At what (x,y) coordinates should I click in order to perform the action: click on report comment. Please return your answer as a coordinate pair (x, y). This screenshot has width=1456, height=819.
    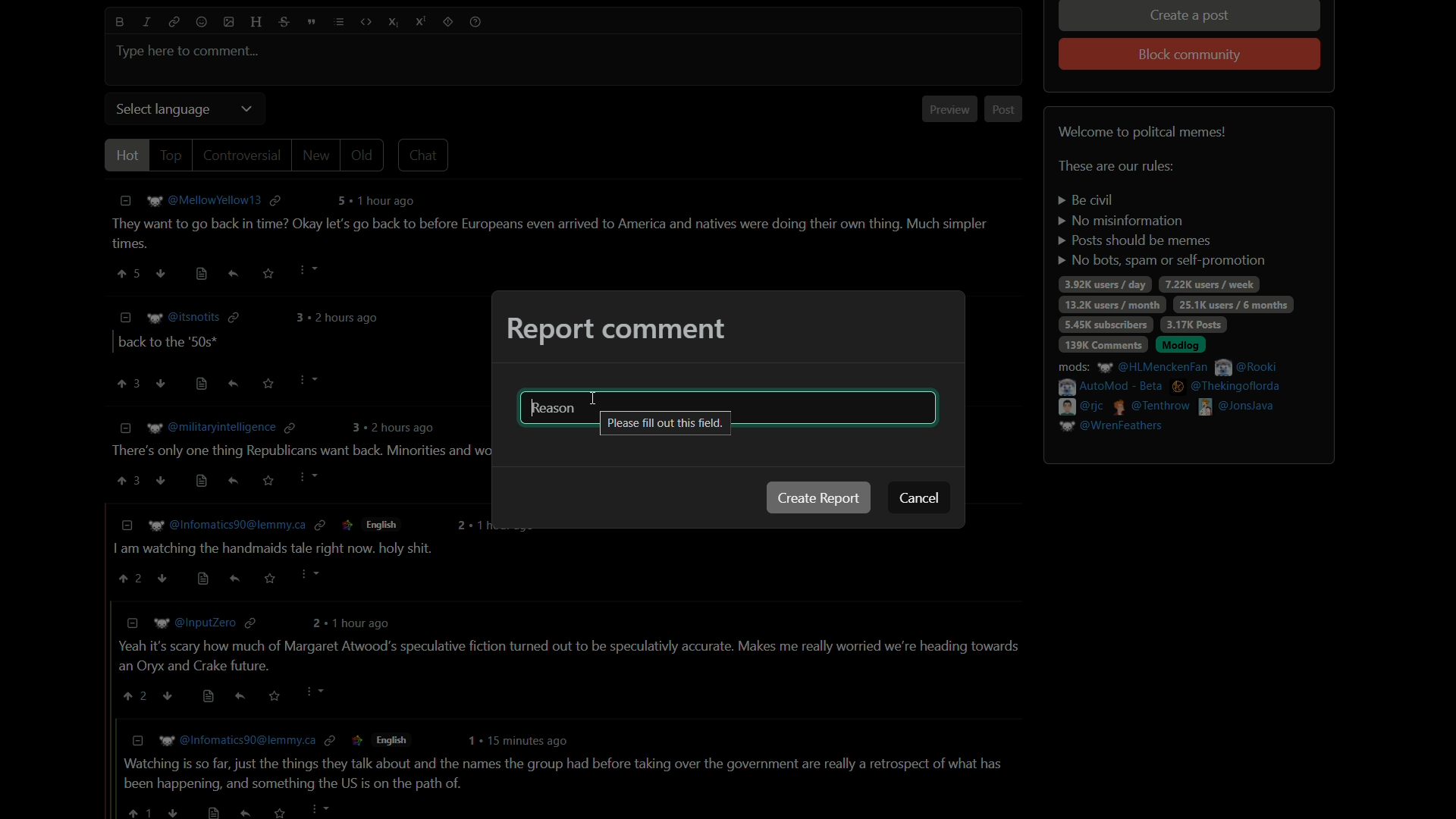
    Looking at the image, I should click on (620, 329).